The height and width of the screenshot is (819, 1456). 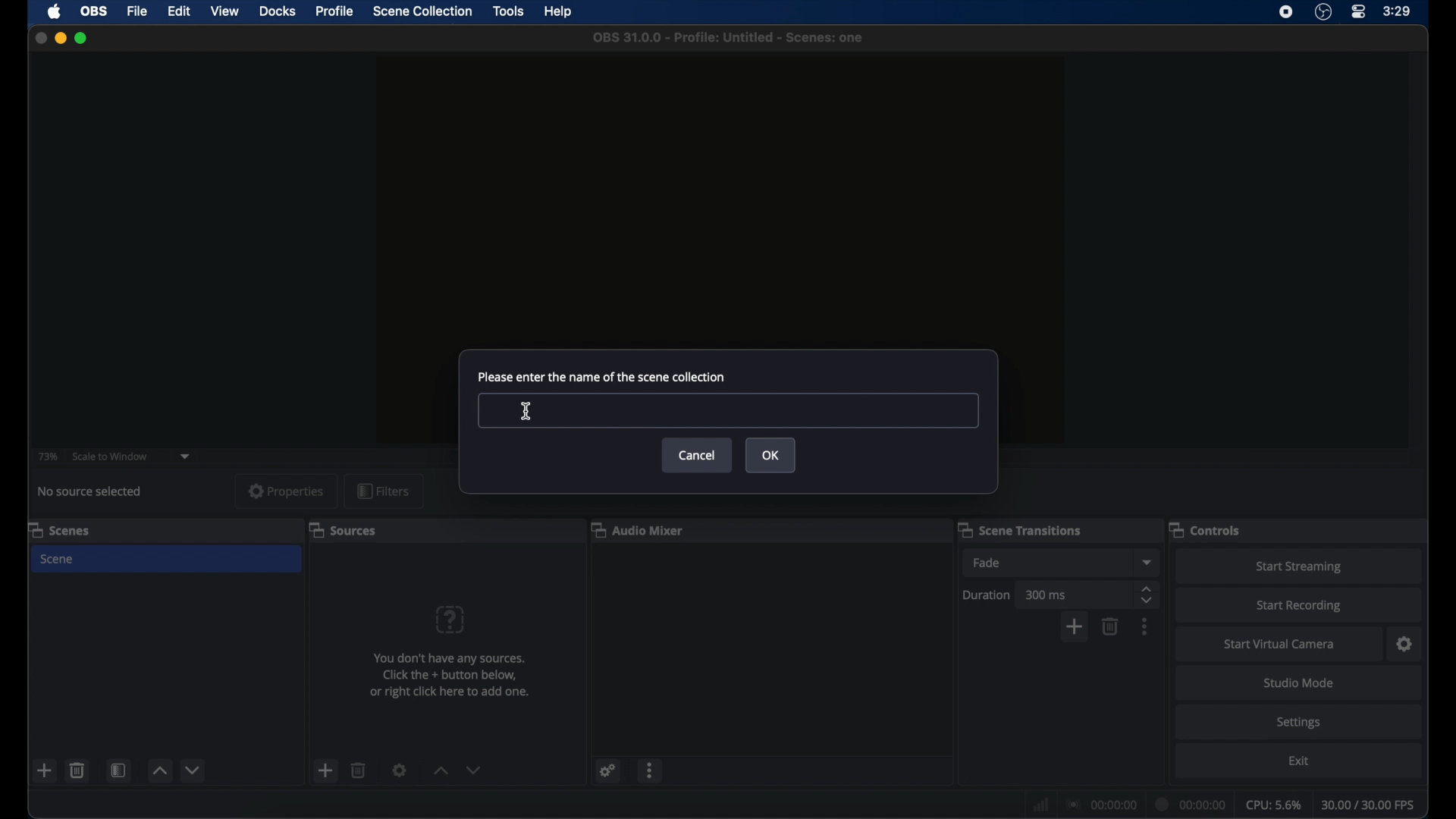 I want to click on settings, so click(x=400, y=770).